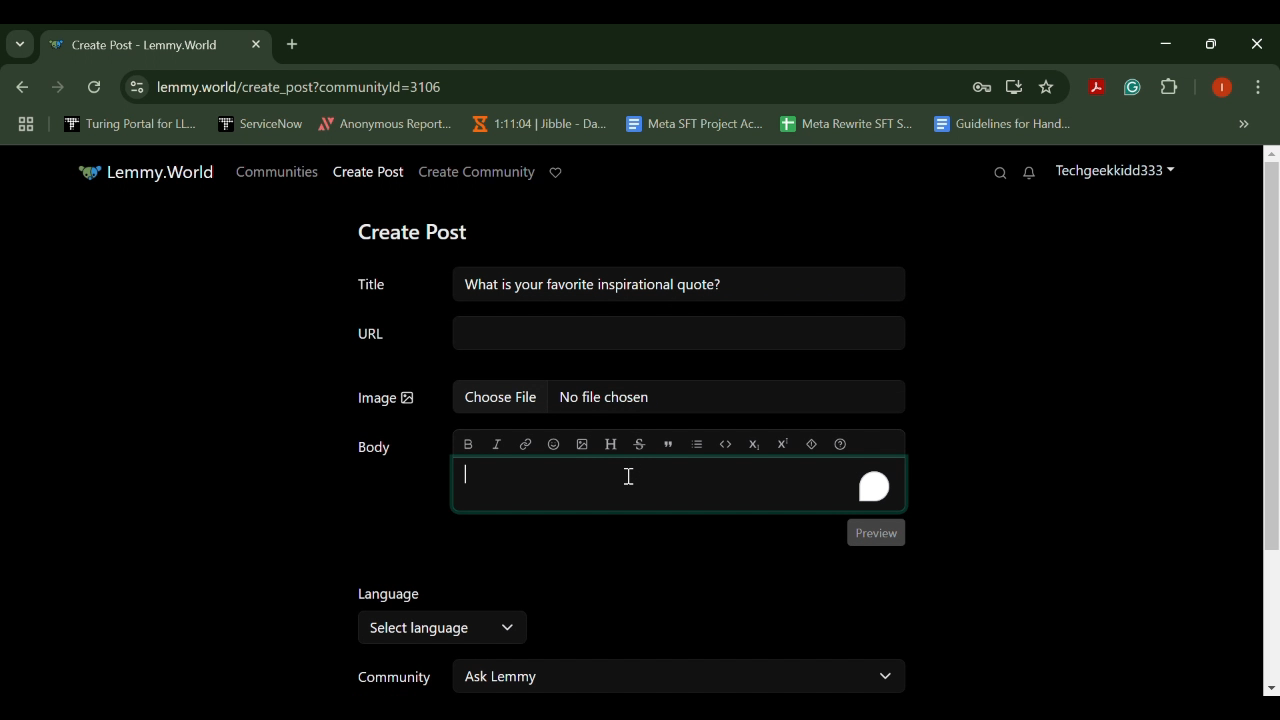  I want to click on Create Post - Lemmy.World, so click(138, 46).